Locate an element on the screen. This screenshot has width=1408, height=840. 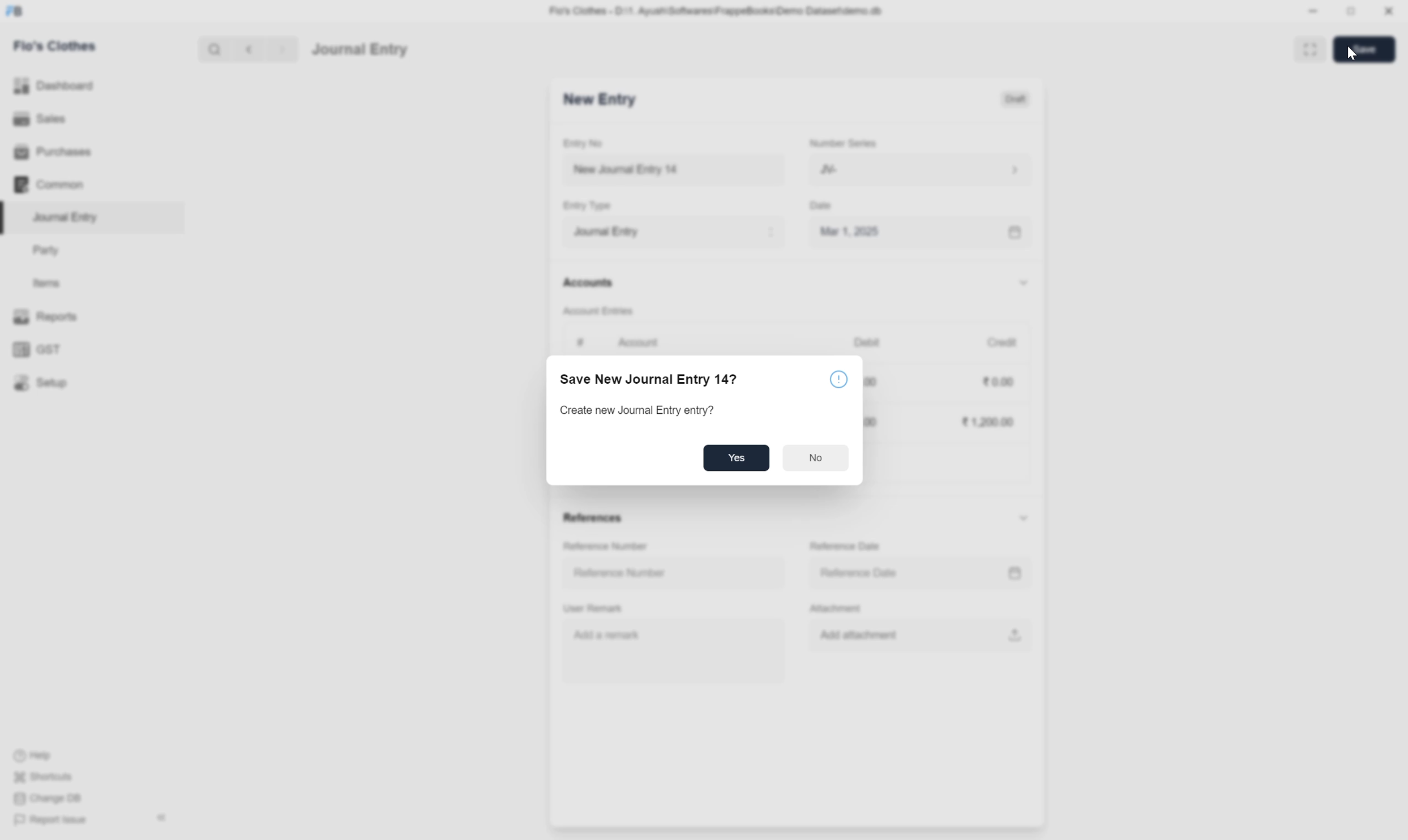
Dashboard is located at coordinates (55, 85).